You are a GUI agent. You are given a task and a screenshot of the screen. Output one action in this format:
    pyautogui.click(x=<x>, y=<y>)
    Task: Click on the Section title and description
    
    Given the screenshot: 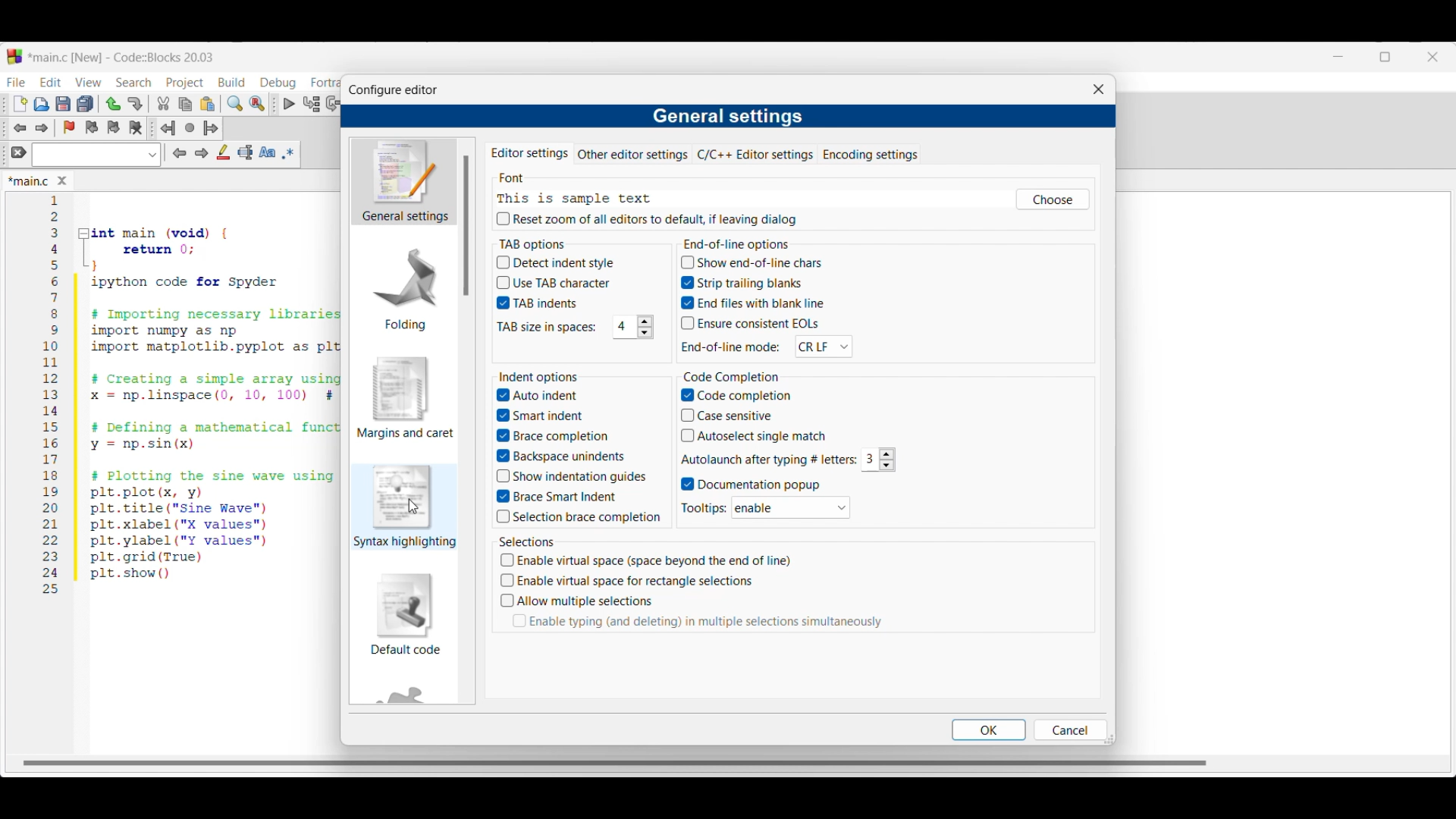 What is the action you would take?
    pyautogui.click(x=573, y=189)
    